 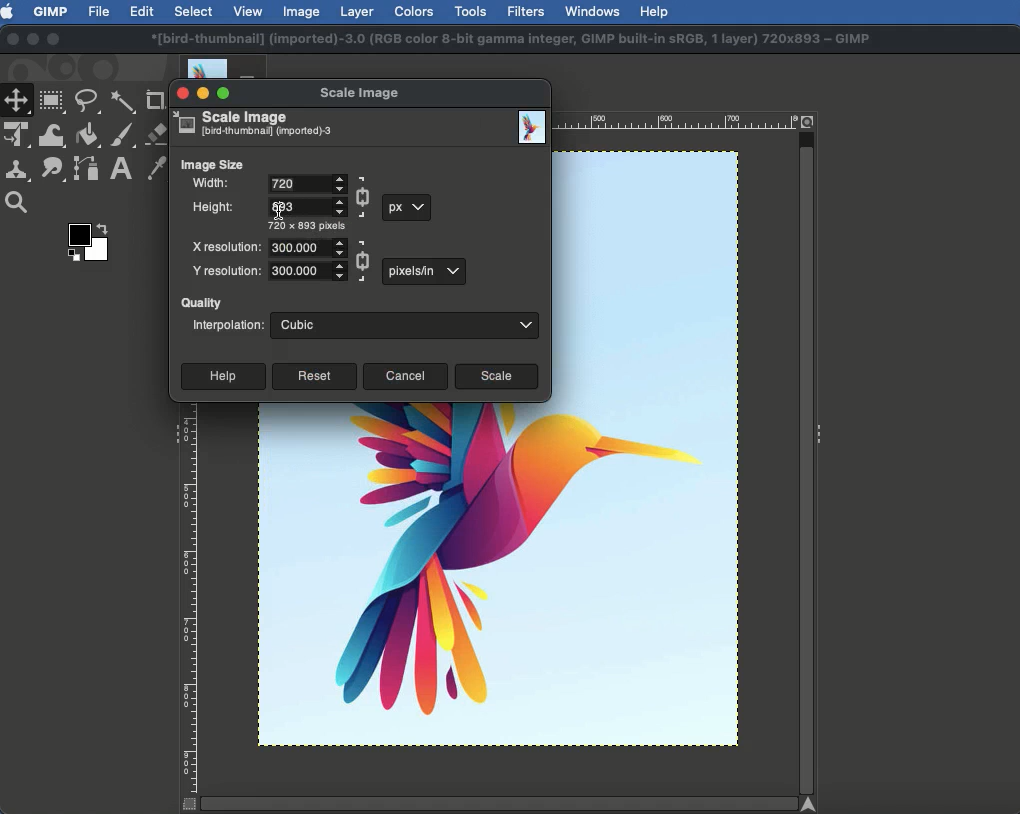 I want to click on Freeform selector, so click(x=88, y=101).